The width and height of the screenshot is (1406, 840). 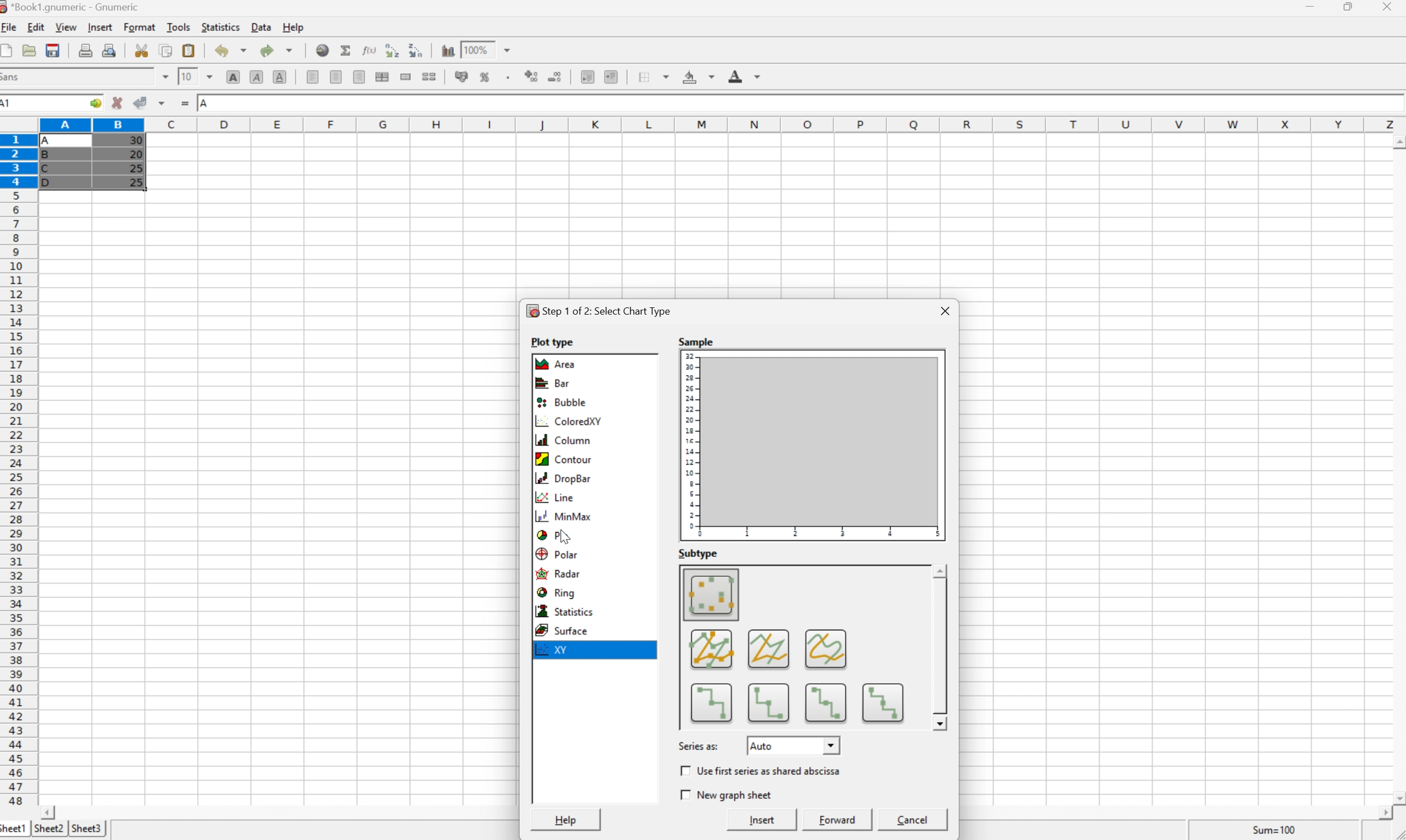 What do you see at coordinates (144, 50) in the screenshot?
I see `Cut the selection` at bounding box center [144, 50].